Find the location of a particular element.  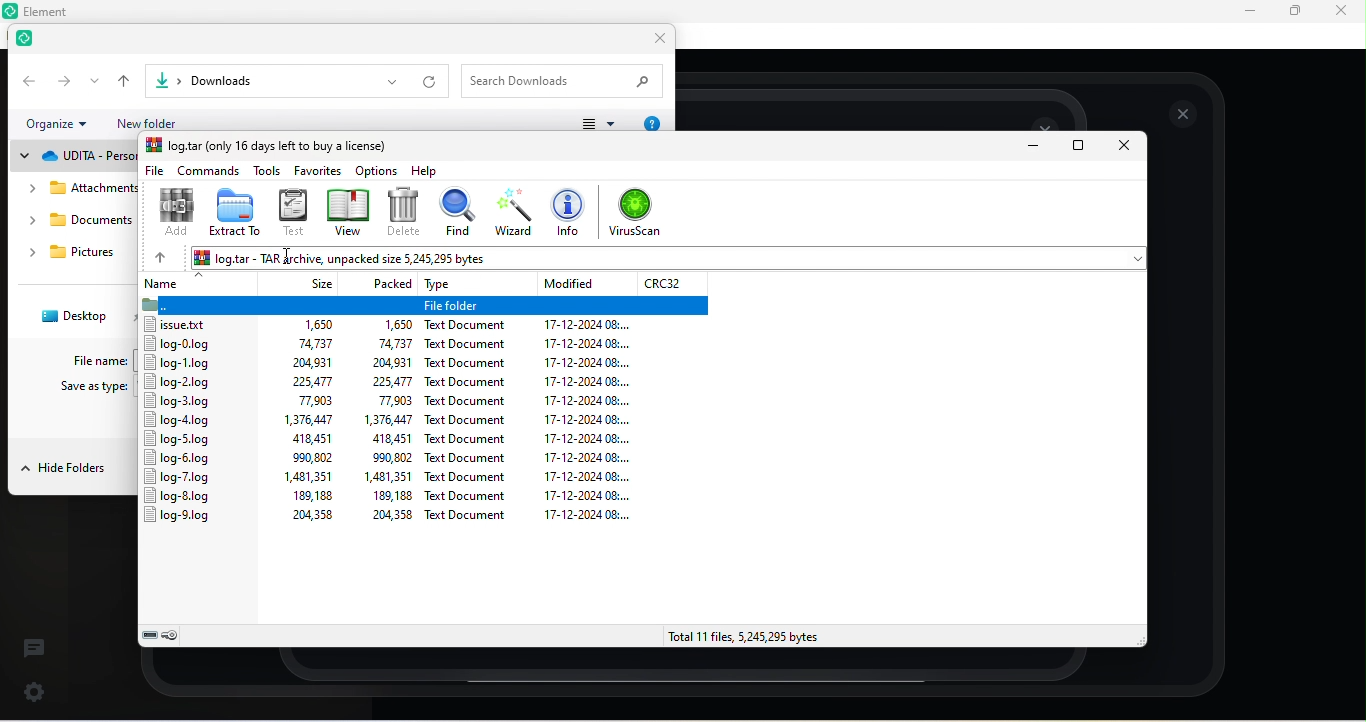

log-6.log is located at coordinates (179, 457).